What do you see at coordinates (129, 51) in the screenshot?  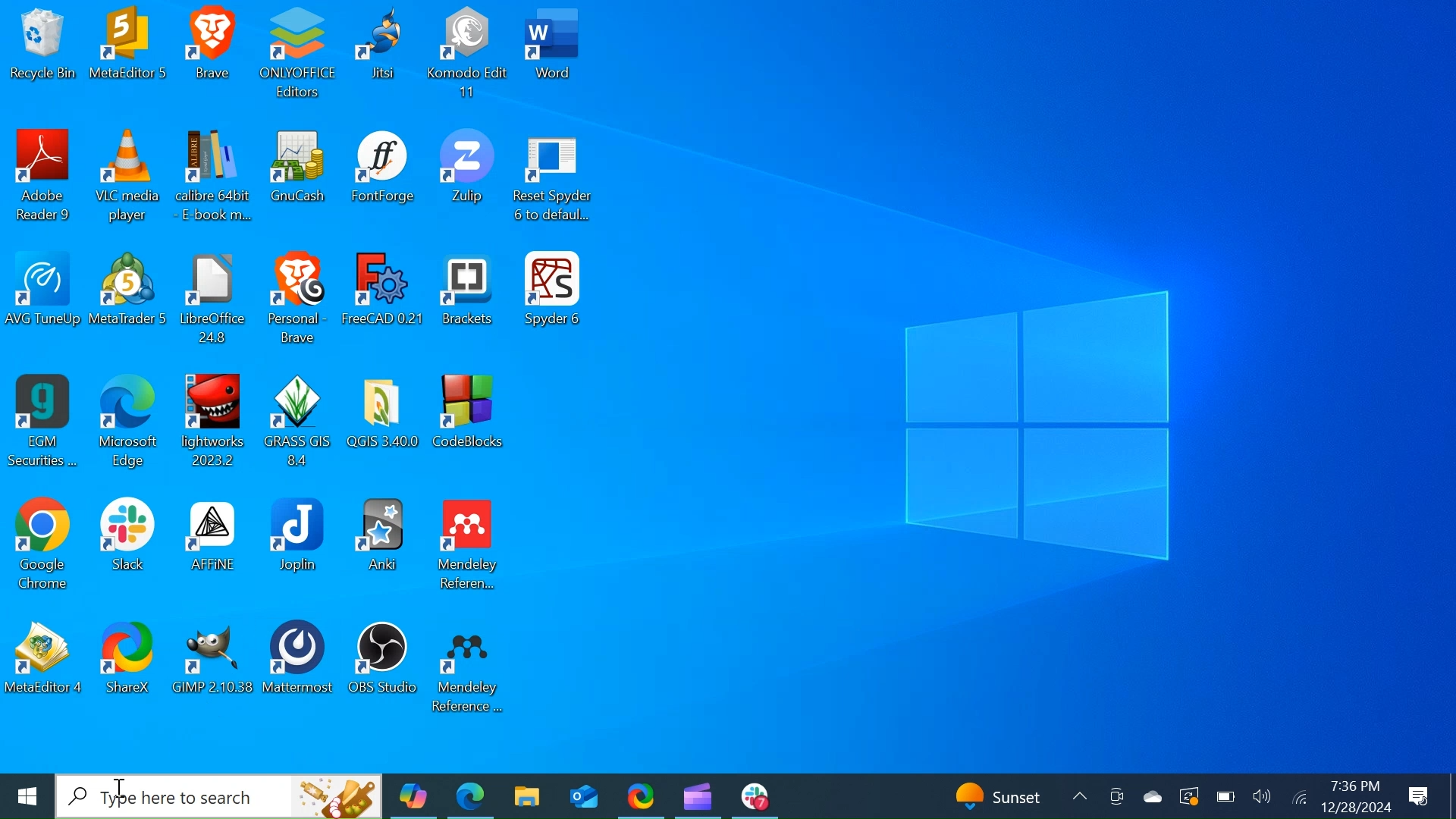 I see `Meta Desktop Icon` at bounding box center [129, 51].